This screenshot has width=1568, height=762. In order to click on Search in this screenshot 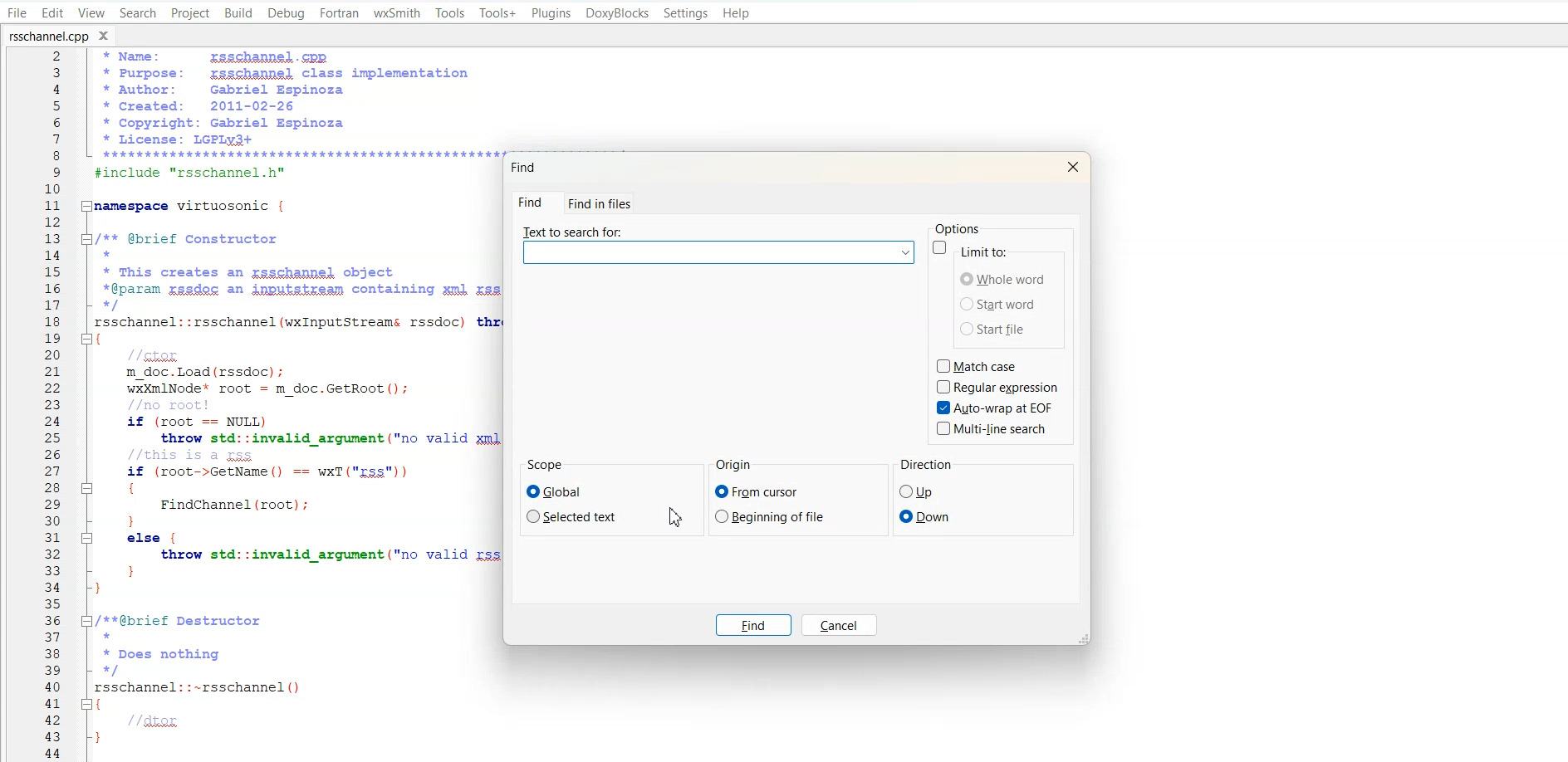, I will do `click(137, 13)`.